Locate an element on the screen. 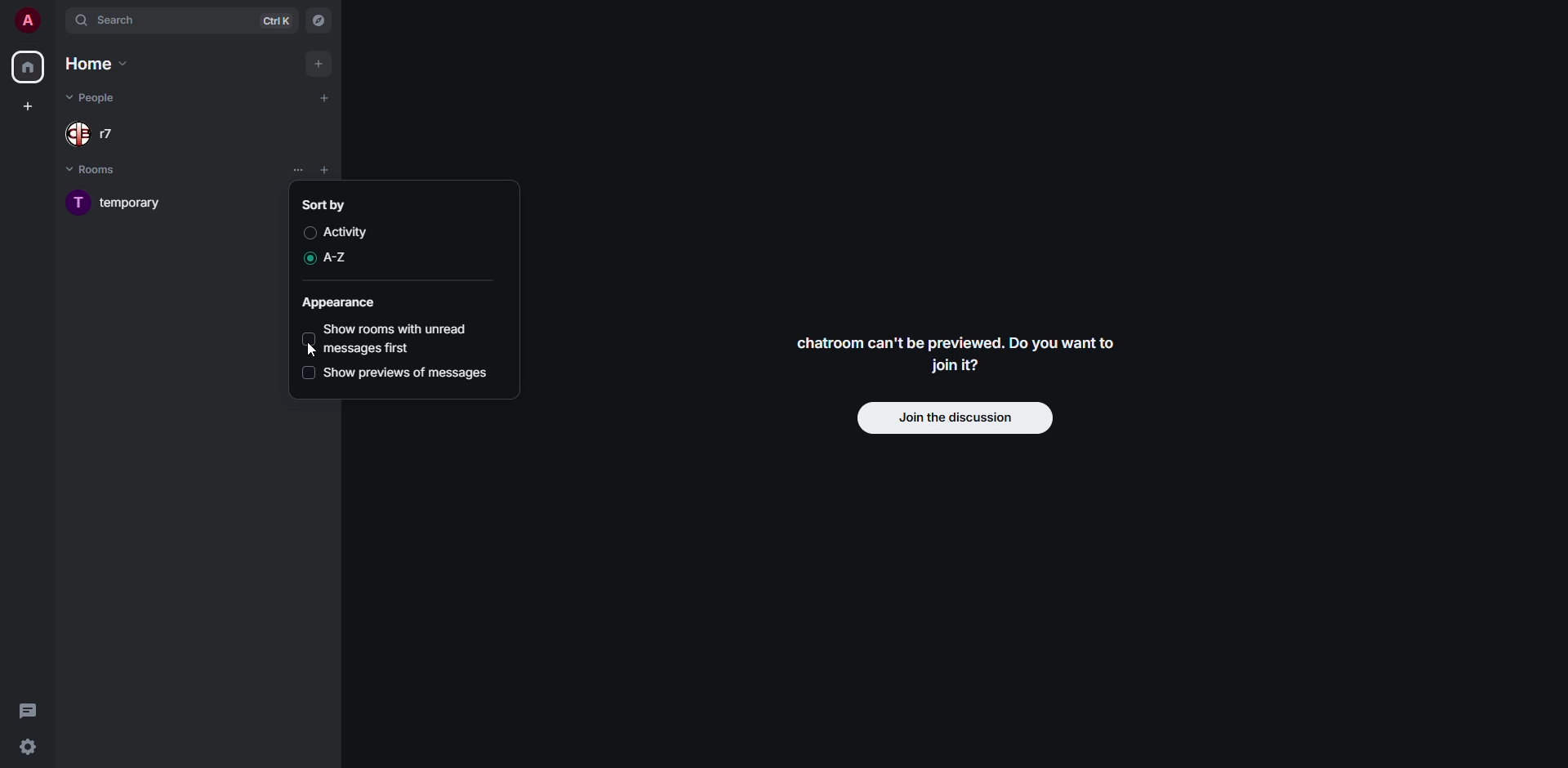  appearance is located at coordinates (344, 303).